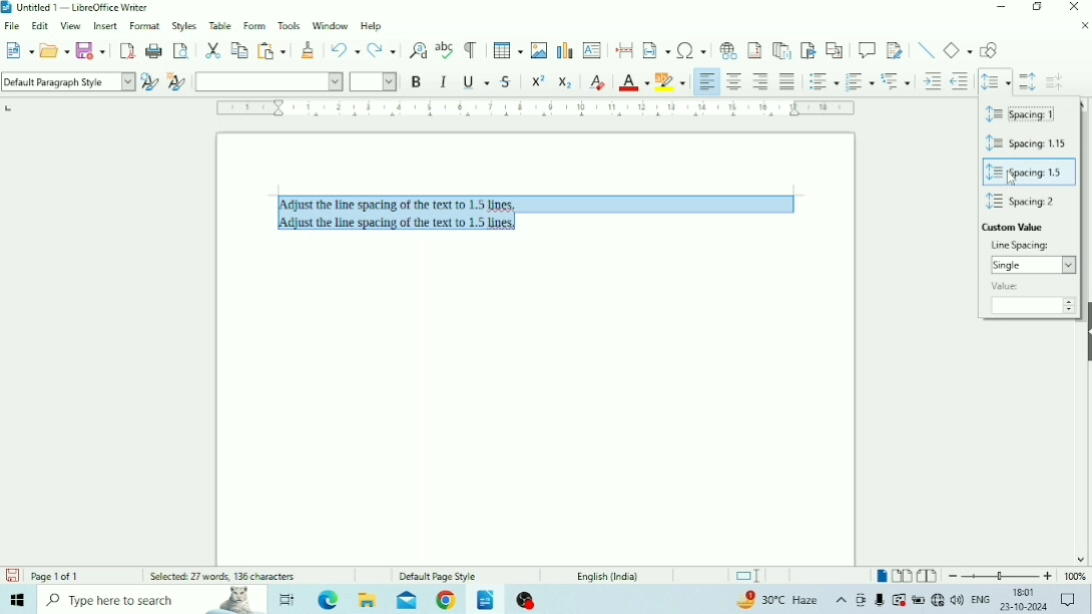 The image size is (1092, 614). Describe the element at coordinates (328, 600) in the screenshot. I see `Microsoft Edge` at that location.